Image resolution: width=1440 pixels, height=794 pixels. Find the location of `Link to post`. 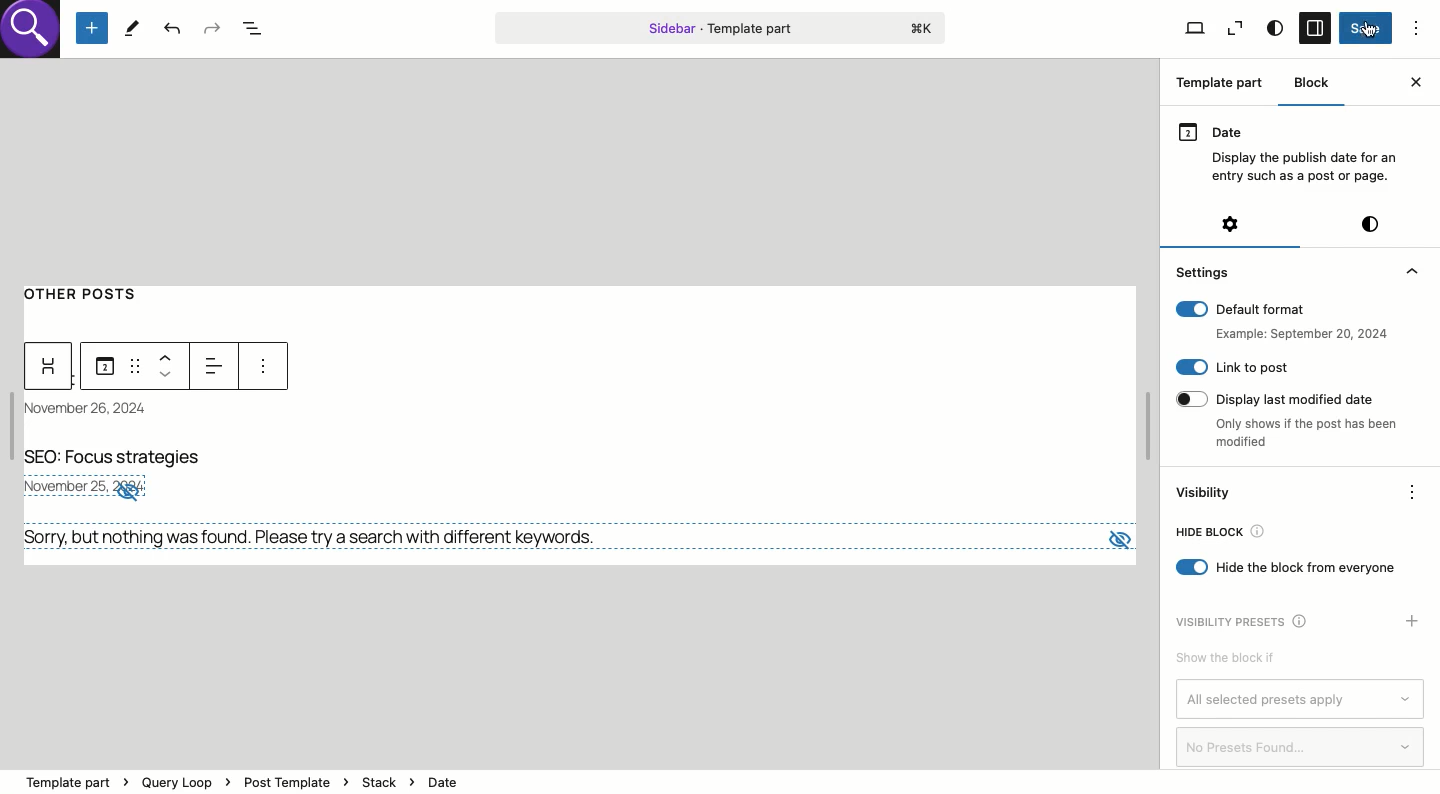

Link to post is located at coordinates (1232, 367).